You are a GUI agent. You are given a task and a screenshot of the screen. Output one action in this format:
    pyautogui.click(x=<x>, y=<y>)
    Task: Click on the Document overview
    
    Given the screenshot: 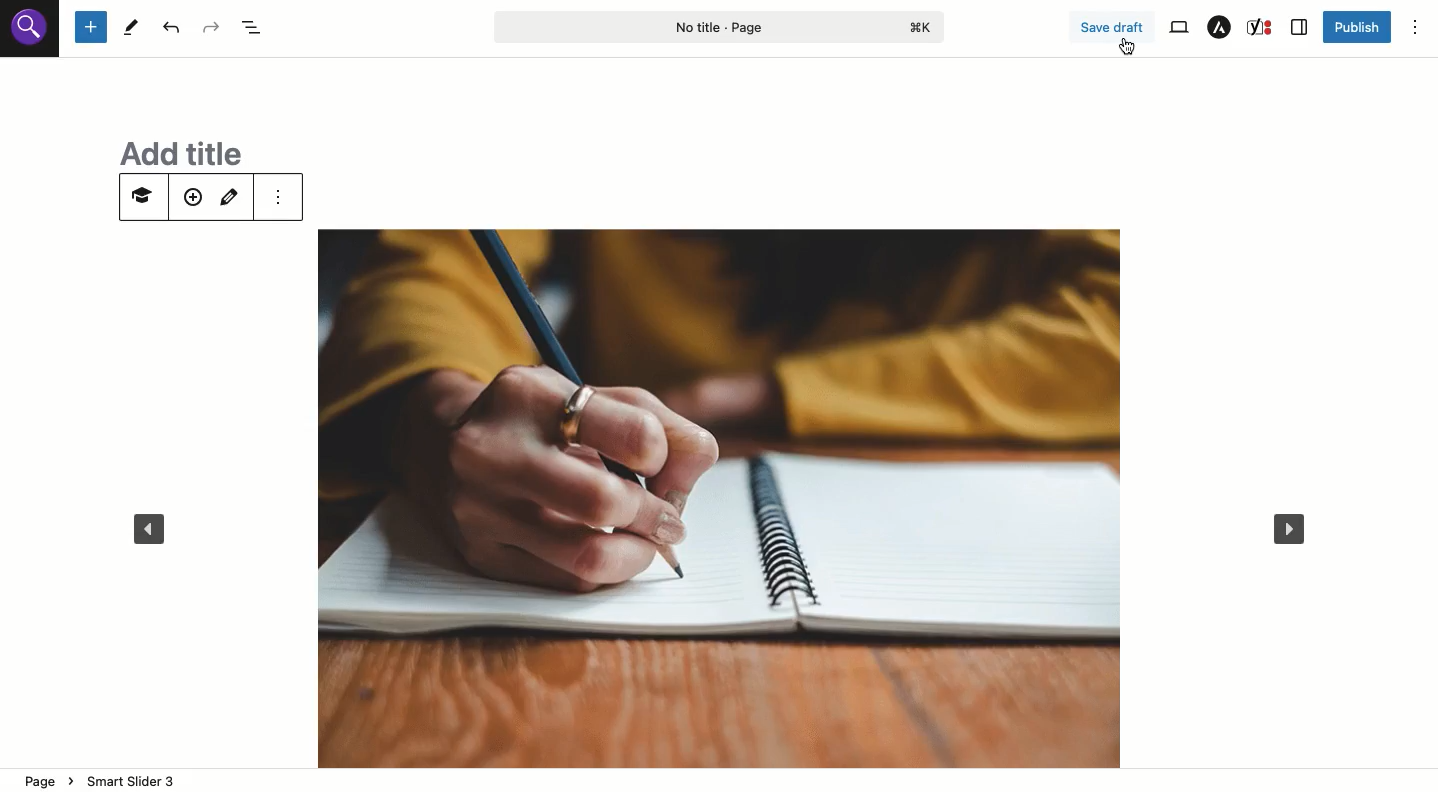 What is the action you would take?
    pyautogui.click(x=252, y=28)
    